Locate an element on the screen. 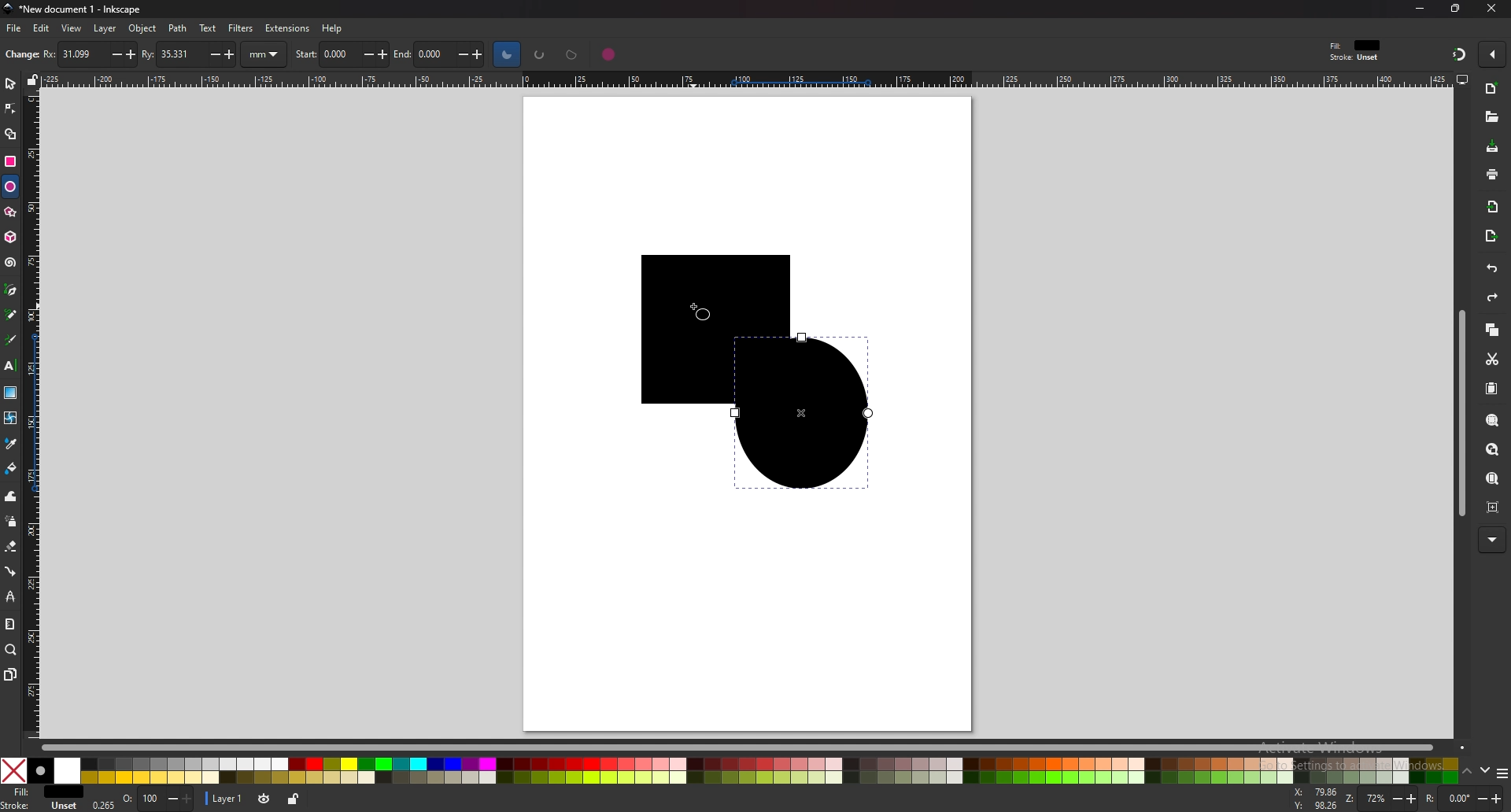 This screenshot has width=1511, height=812. print is located at coordinates (1491, 174).